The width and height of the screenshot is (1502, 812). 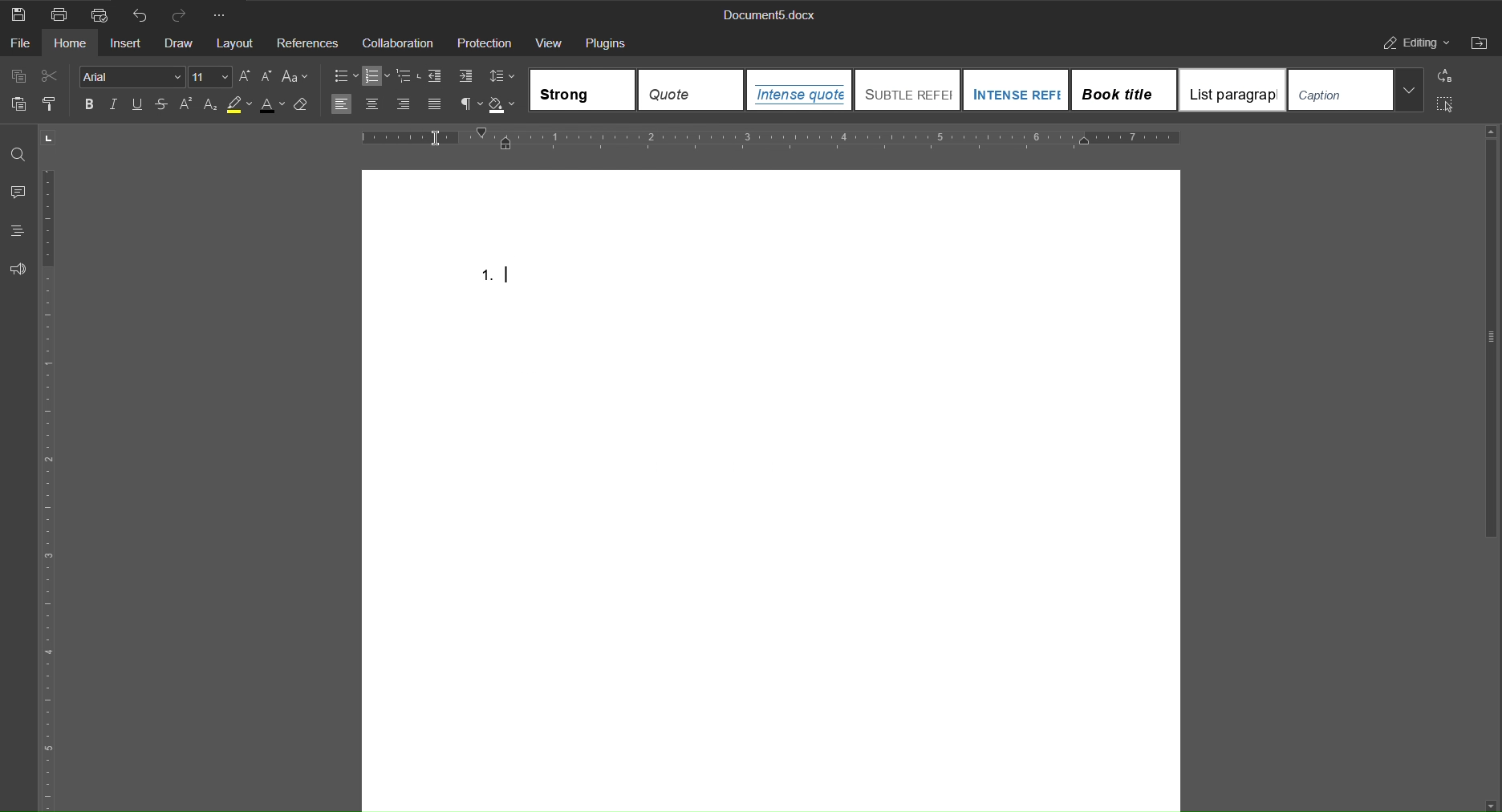 I want to click on Caption, so click(x=1341, y=91).